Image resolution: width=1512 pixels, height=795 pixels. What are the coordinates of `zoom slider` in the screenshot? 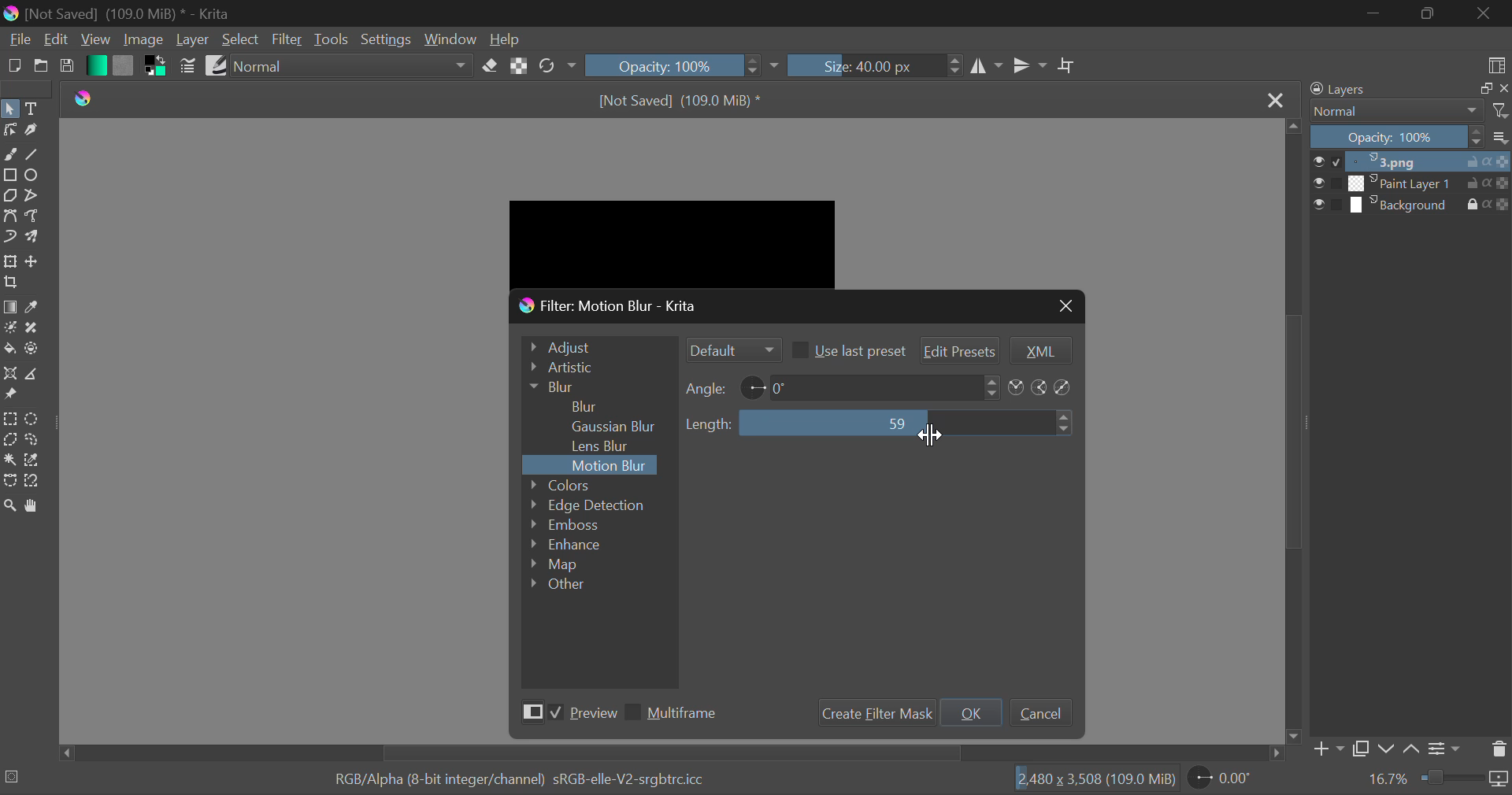 It's located at (1465, 779).